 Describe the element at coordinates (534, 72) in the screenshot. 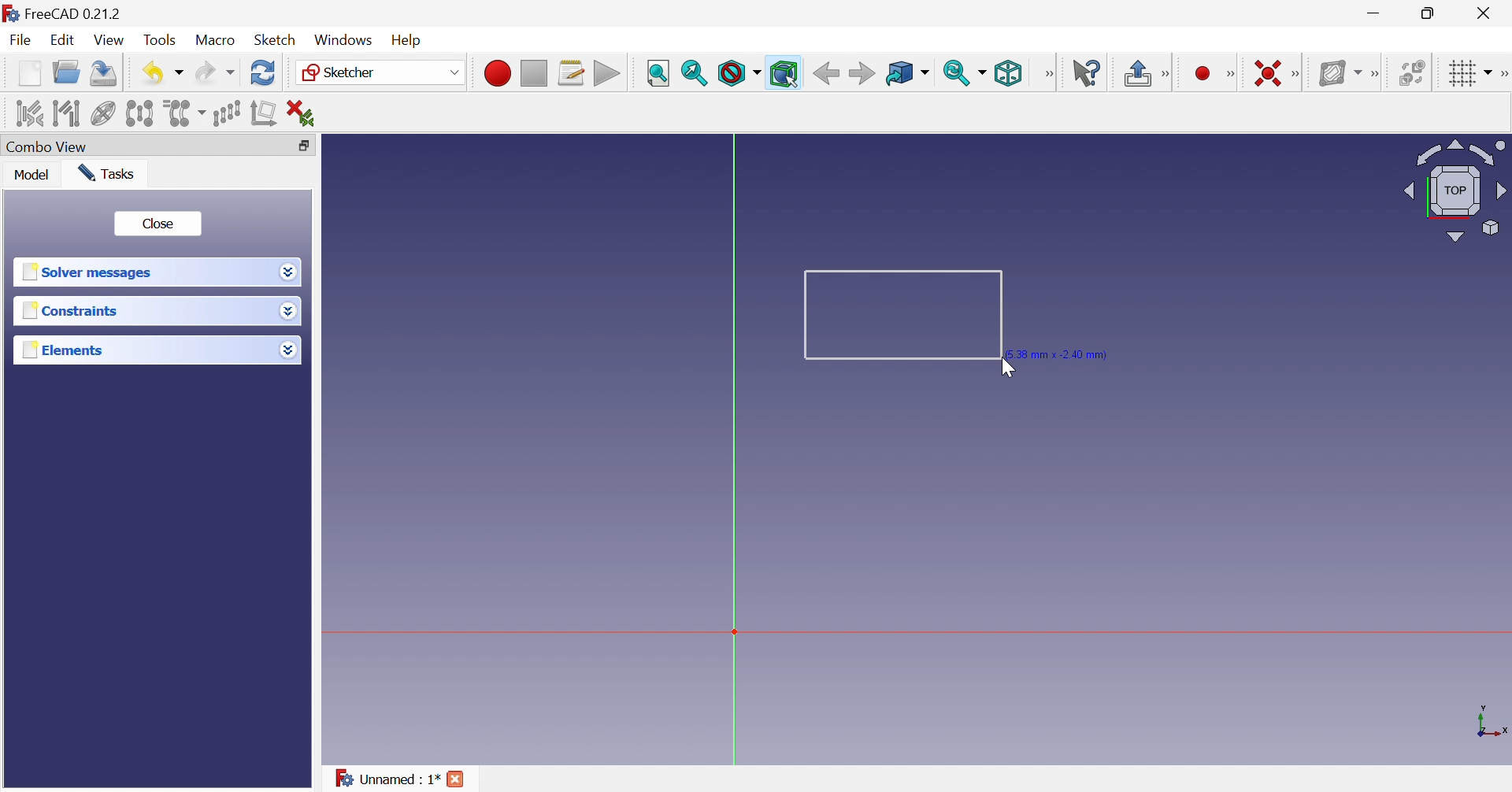

I see `Stop macro recording` at that location.